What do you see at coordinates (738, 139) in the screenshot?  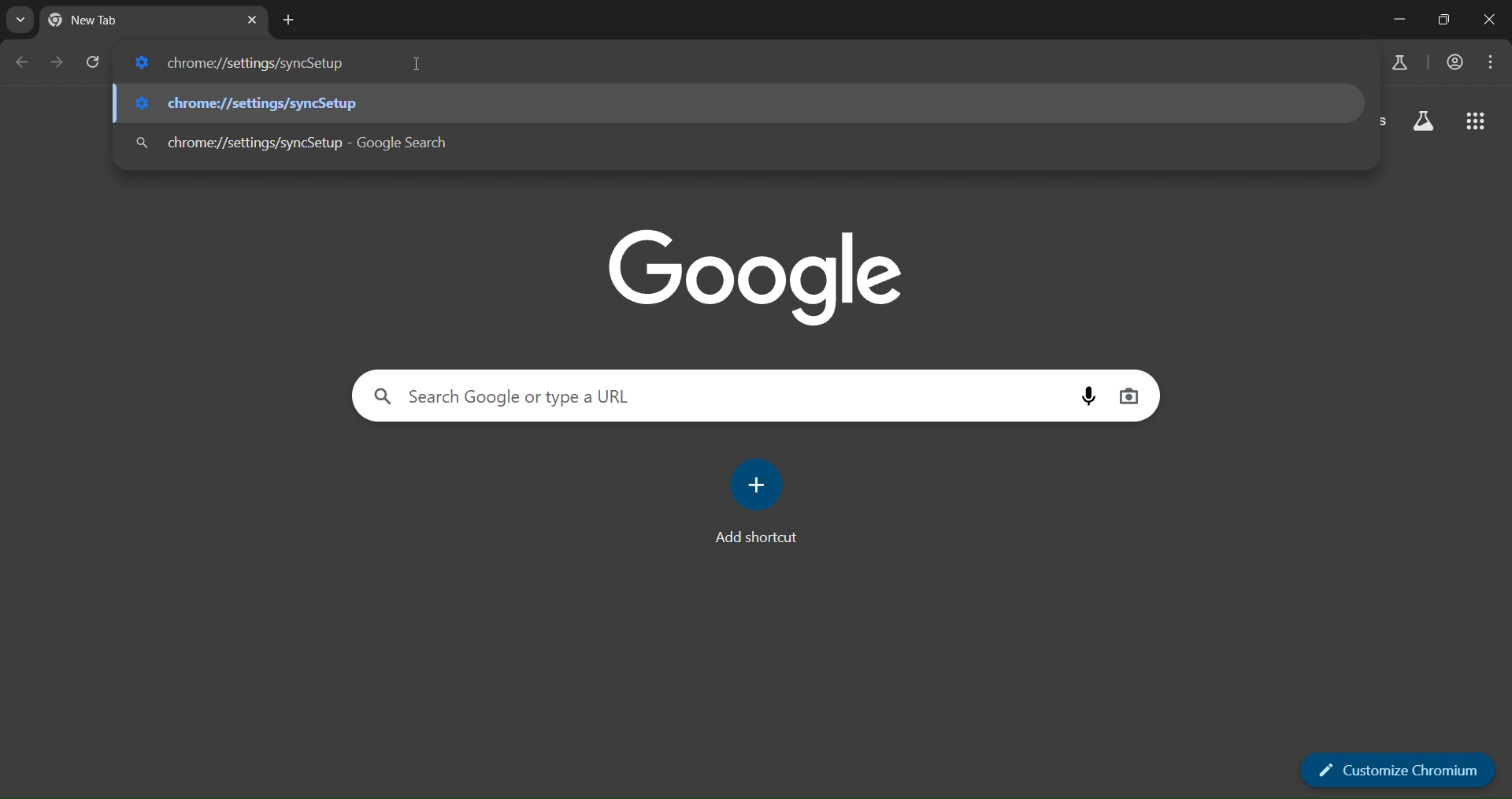 I see `chrome://setting/syncSetup - Google search` at bounding box center [738, 139].